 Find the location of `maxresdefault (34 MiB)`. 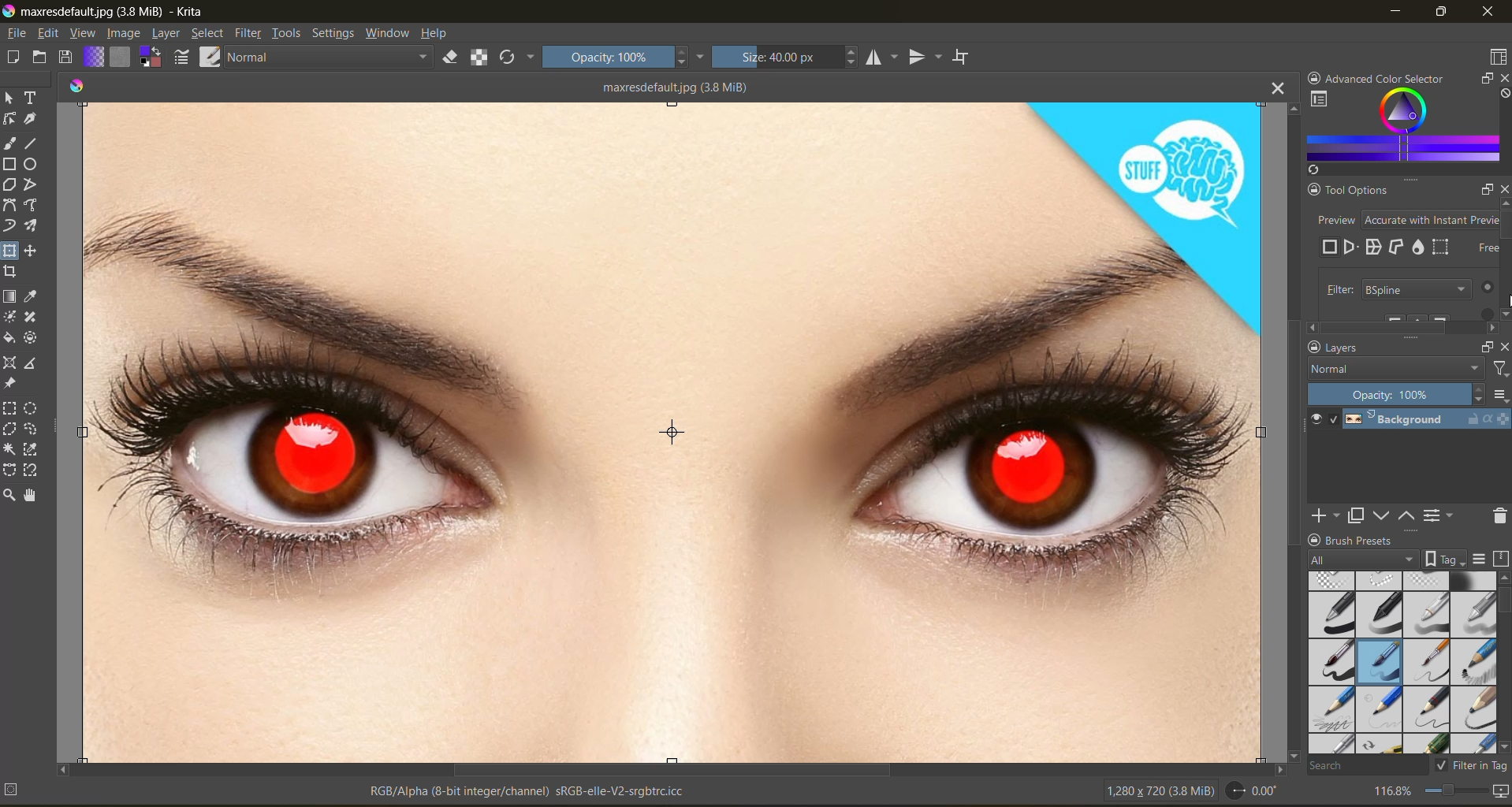

maxresdefault (34 MiB) is located at coordinates (677, 86).